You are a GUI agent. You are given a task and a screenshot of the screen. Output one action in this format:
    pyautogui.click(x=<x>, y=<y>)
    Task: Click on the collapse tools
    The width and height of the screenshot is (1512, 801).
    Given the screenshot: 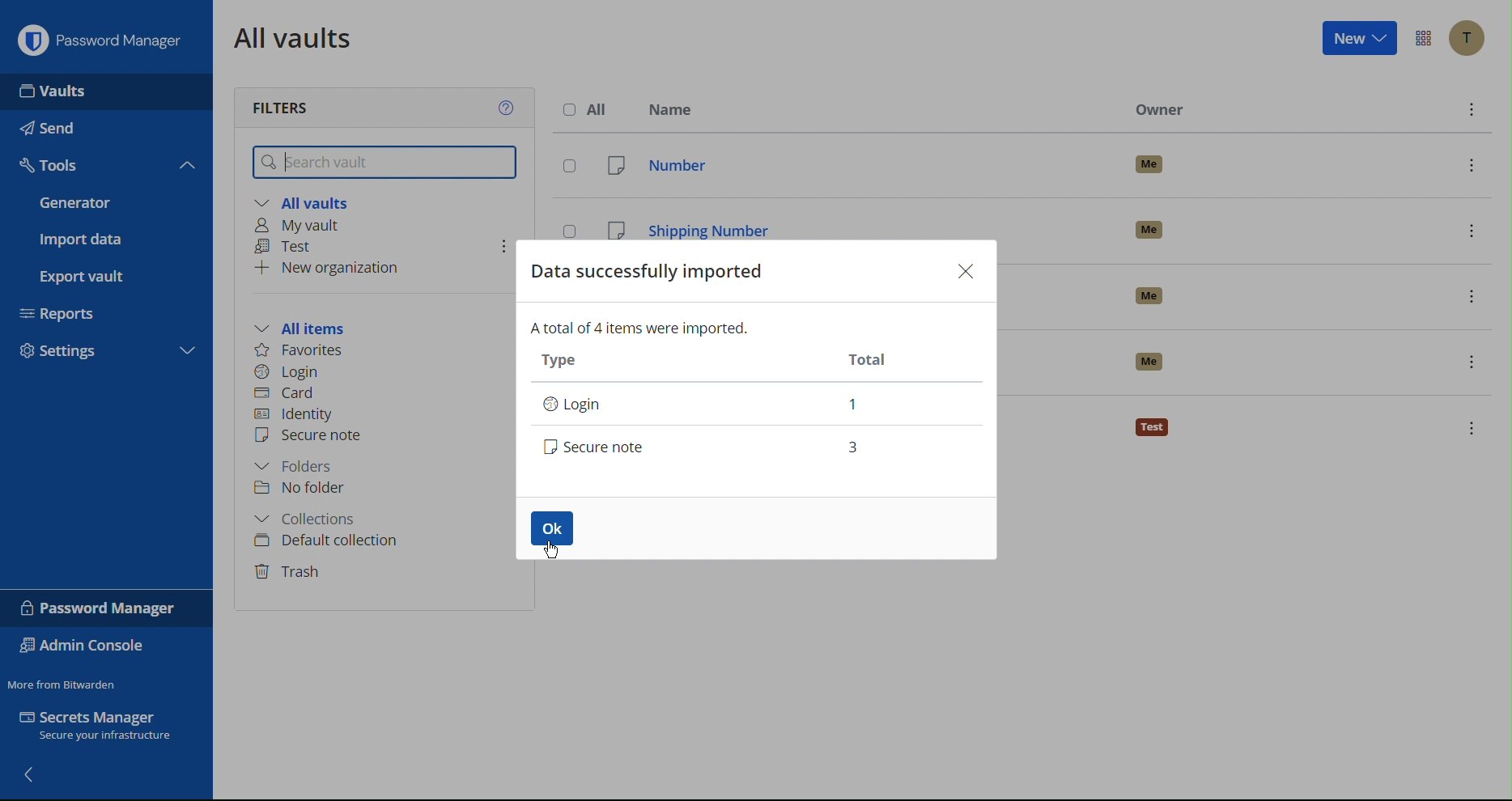 What is the action you would take?
    pyautogui.click(x=188, y=164)
    